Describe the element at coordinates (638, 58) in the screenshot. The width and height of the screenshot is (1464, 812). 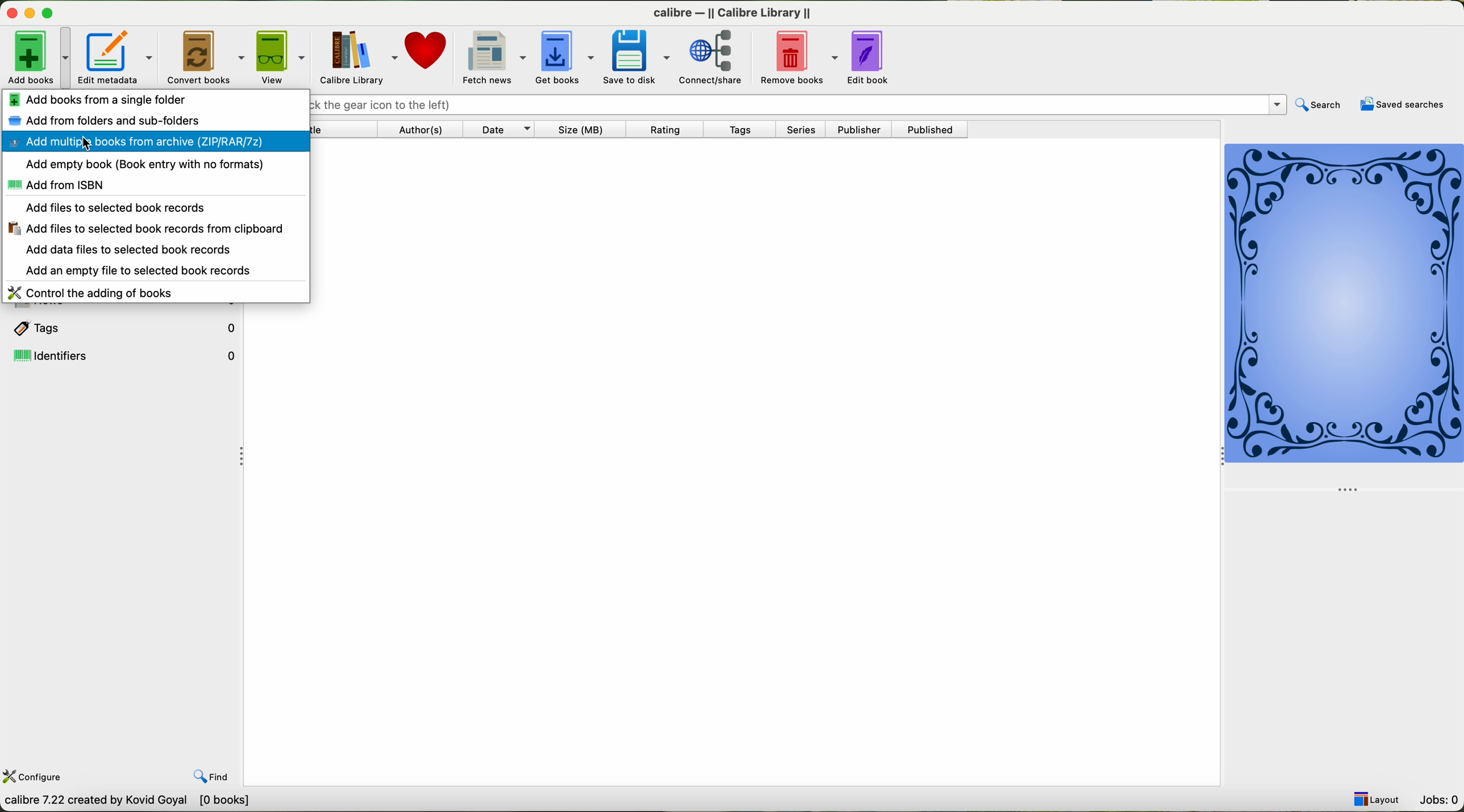
I see `save to disk` at that location.